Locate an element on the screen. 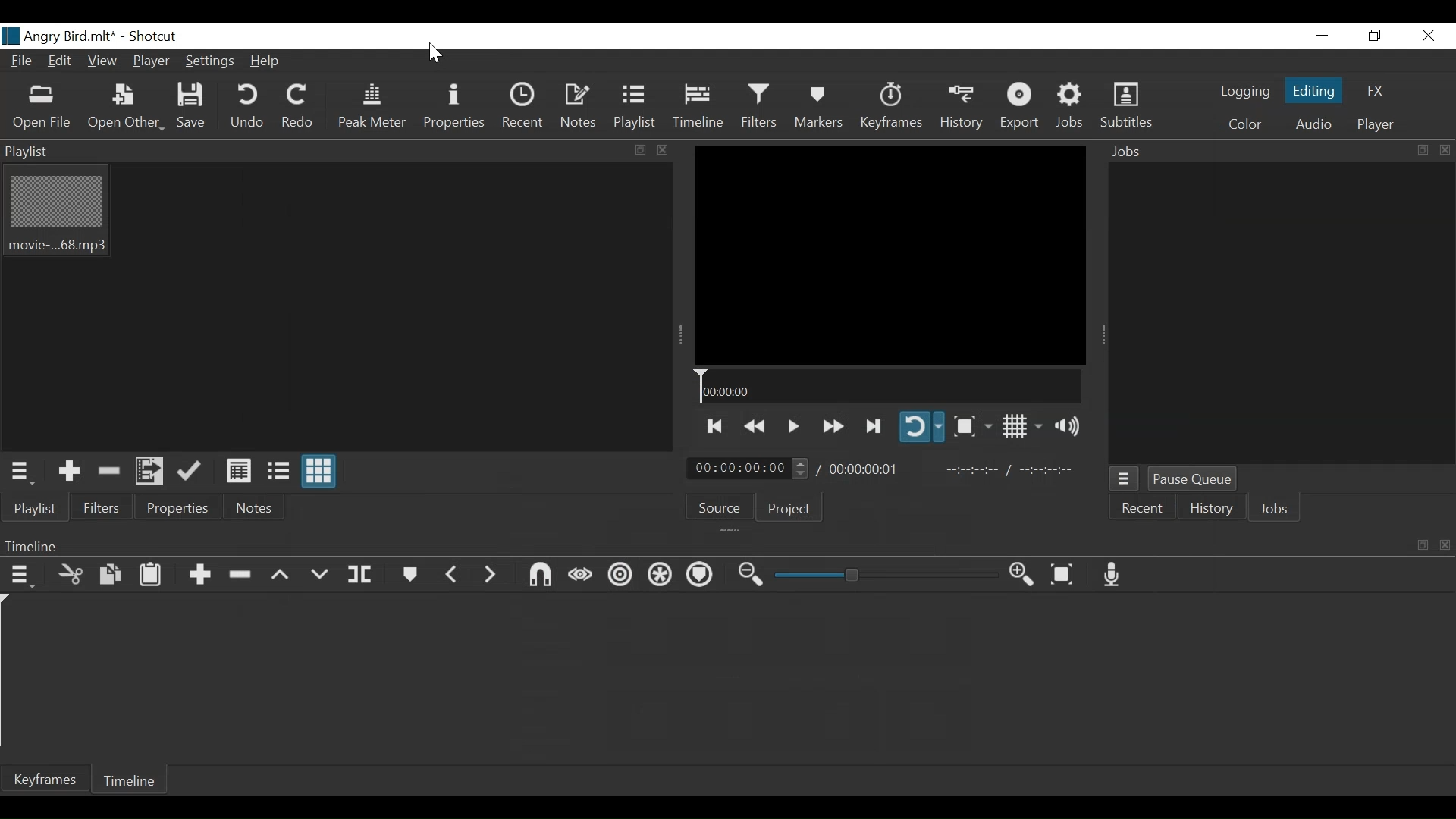  resize is located at coordinates (639, 150).